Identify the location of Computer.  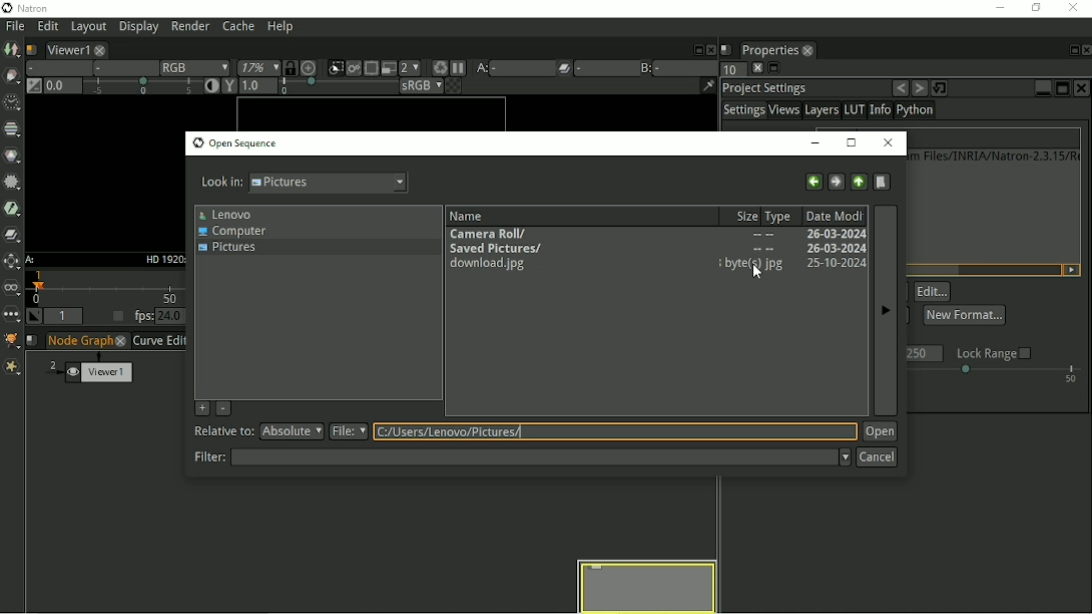
(236, 231).